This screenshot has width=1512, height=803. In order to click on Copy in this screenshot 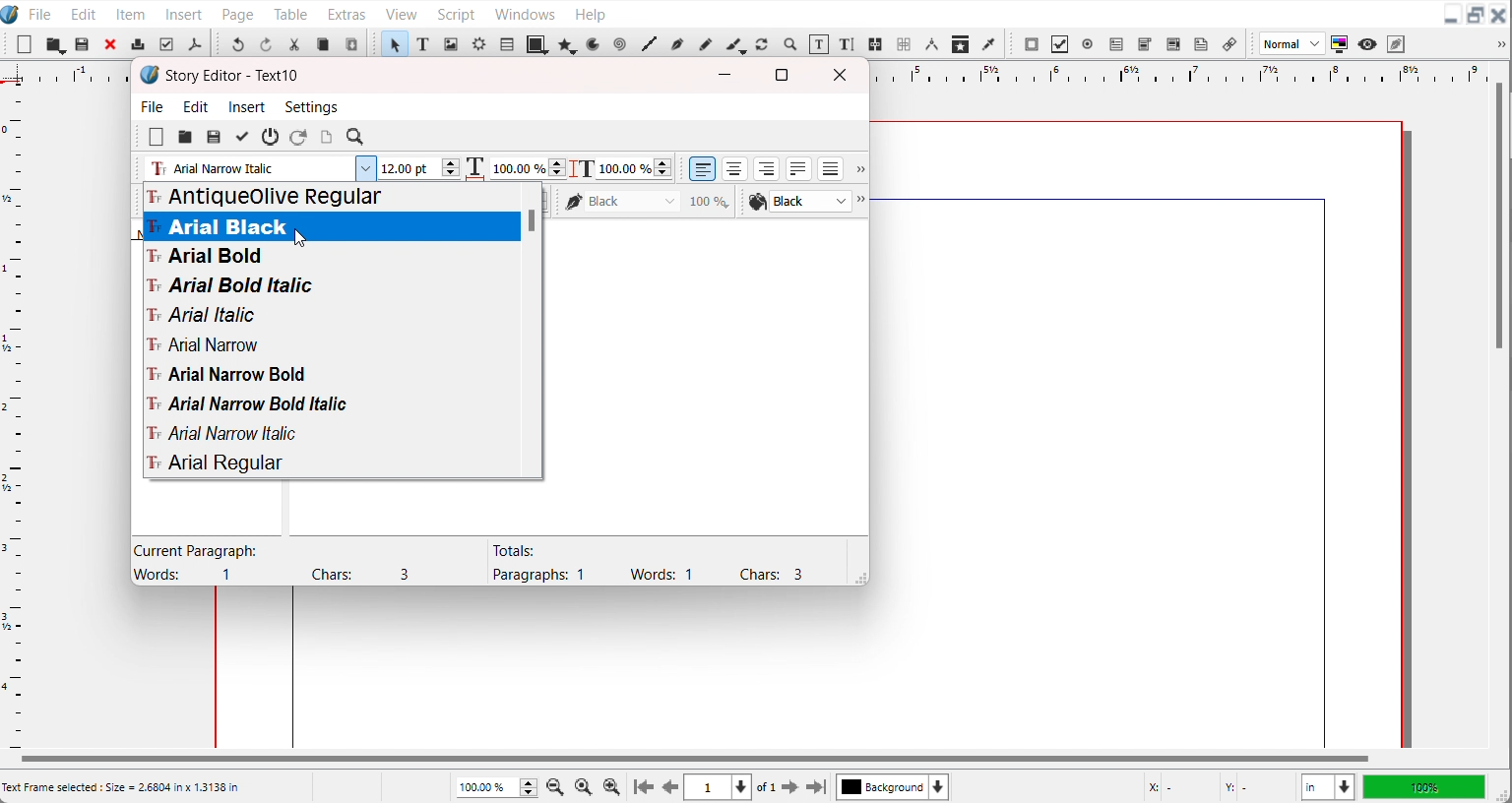, I will do `click(323, 44)`.